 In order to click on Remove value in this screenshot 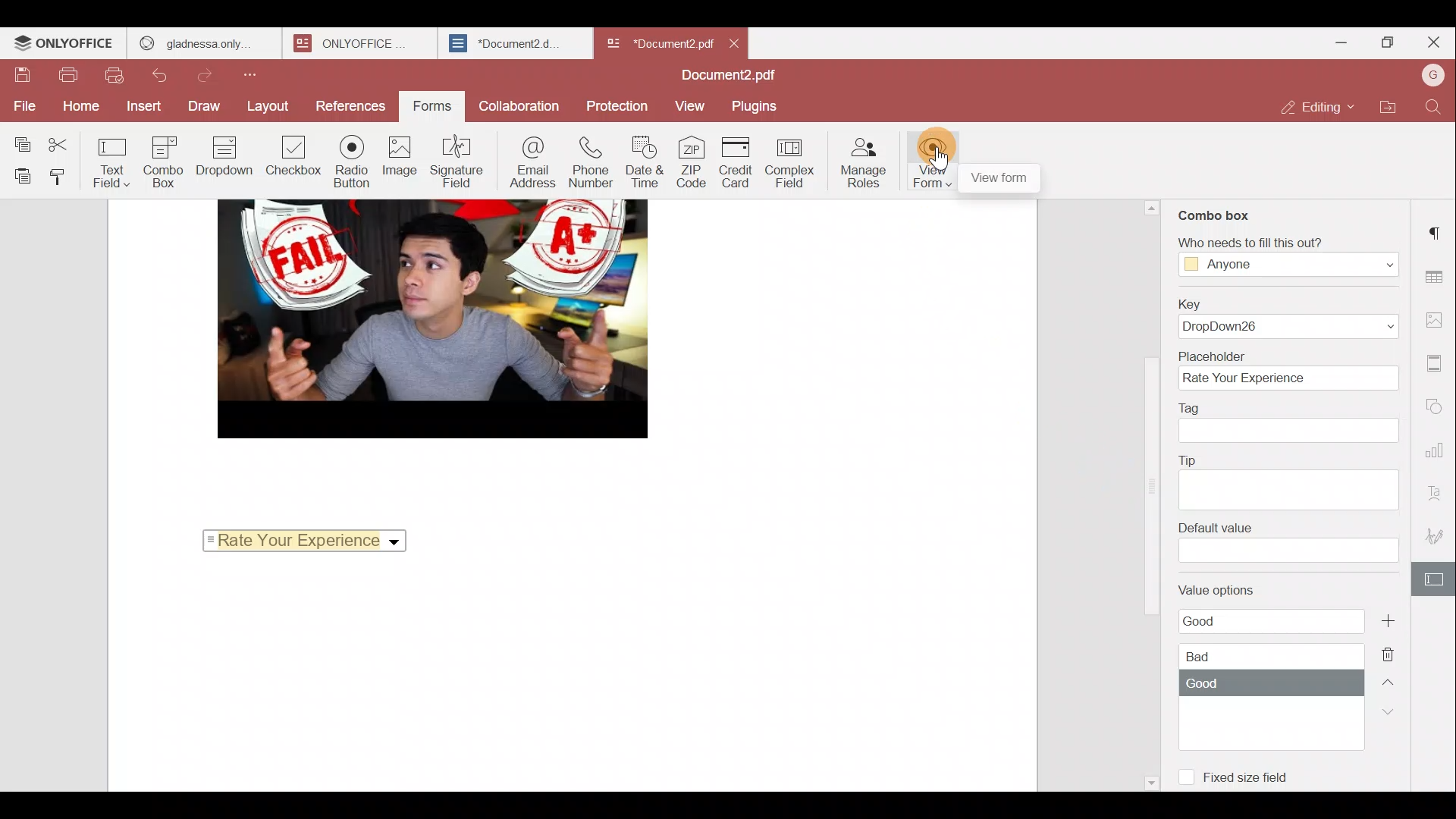, I will do `click(1391, 655)`.